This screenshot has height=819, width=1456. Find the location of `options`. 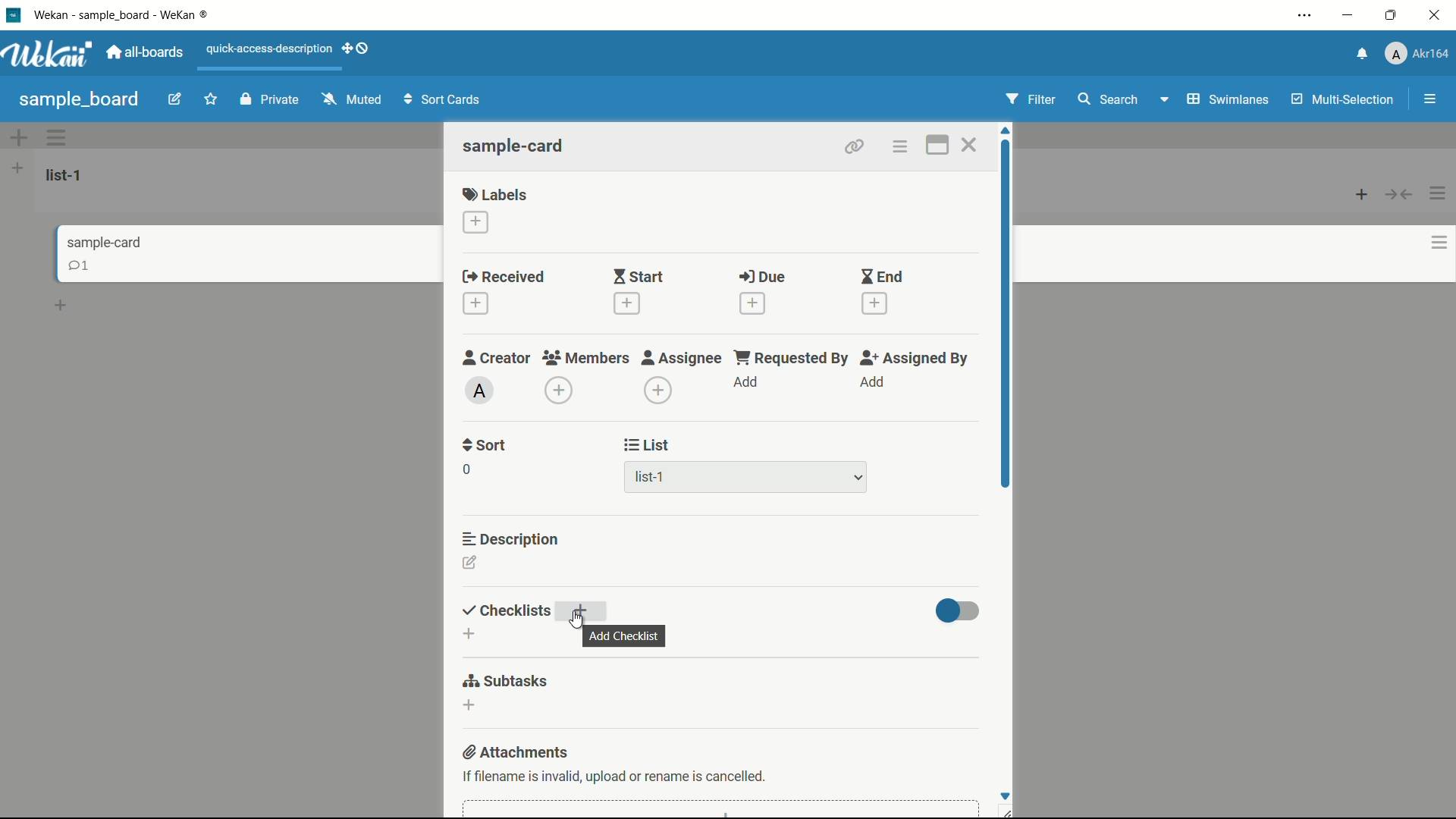

options is located at coordinates (71, 139).